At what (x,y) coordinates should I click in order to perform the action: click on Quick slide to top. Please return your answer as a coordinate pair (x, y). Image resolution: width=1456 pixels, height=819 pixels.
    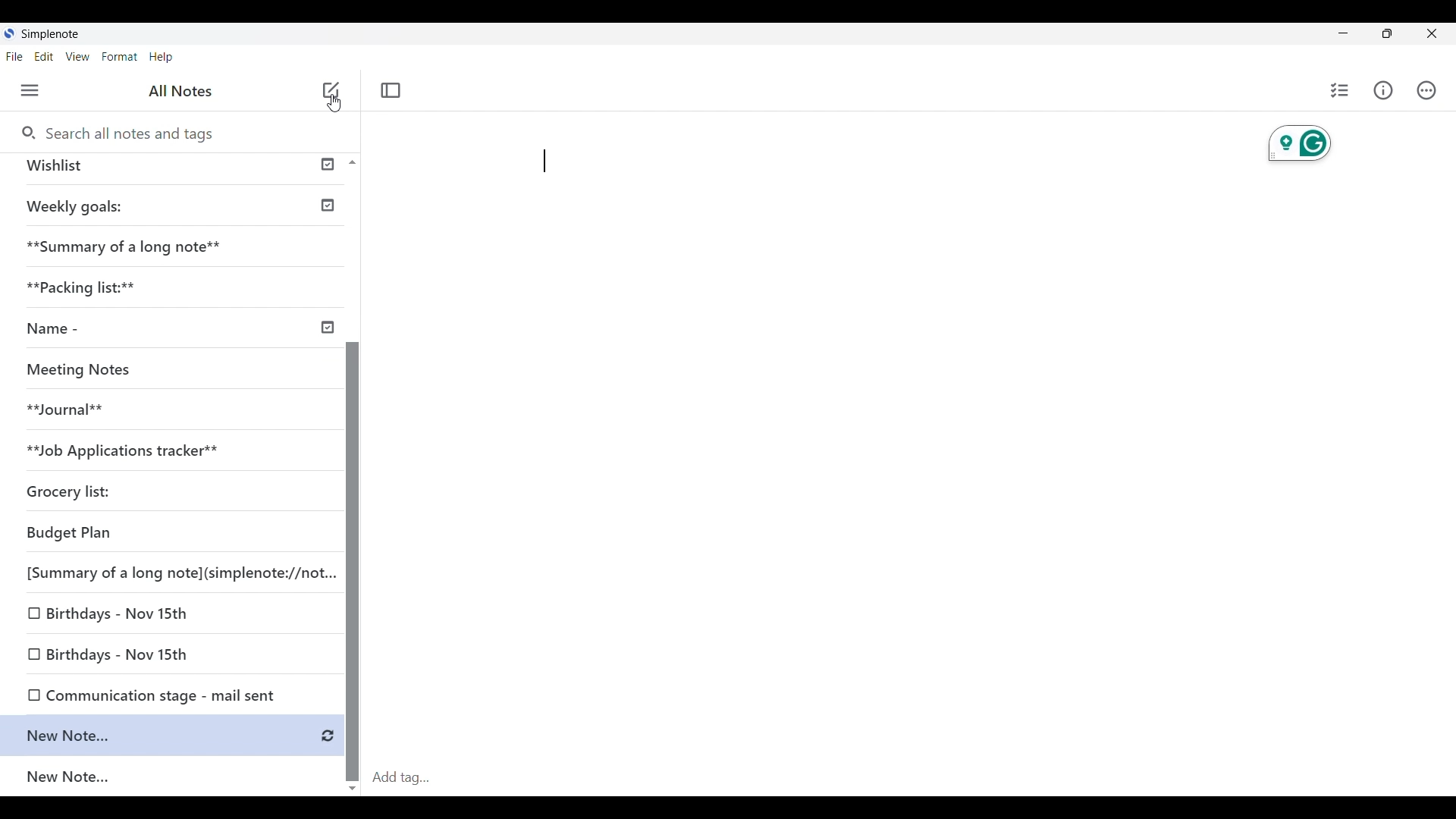
    Looking at the image, I should click on (353, 162).